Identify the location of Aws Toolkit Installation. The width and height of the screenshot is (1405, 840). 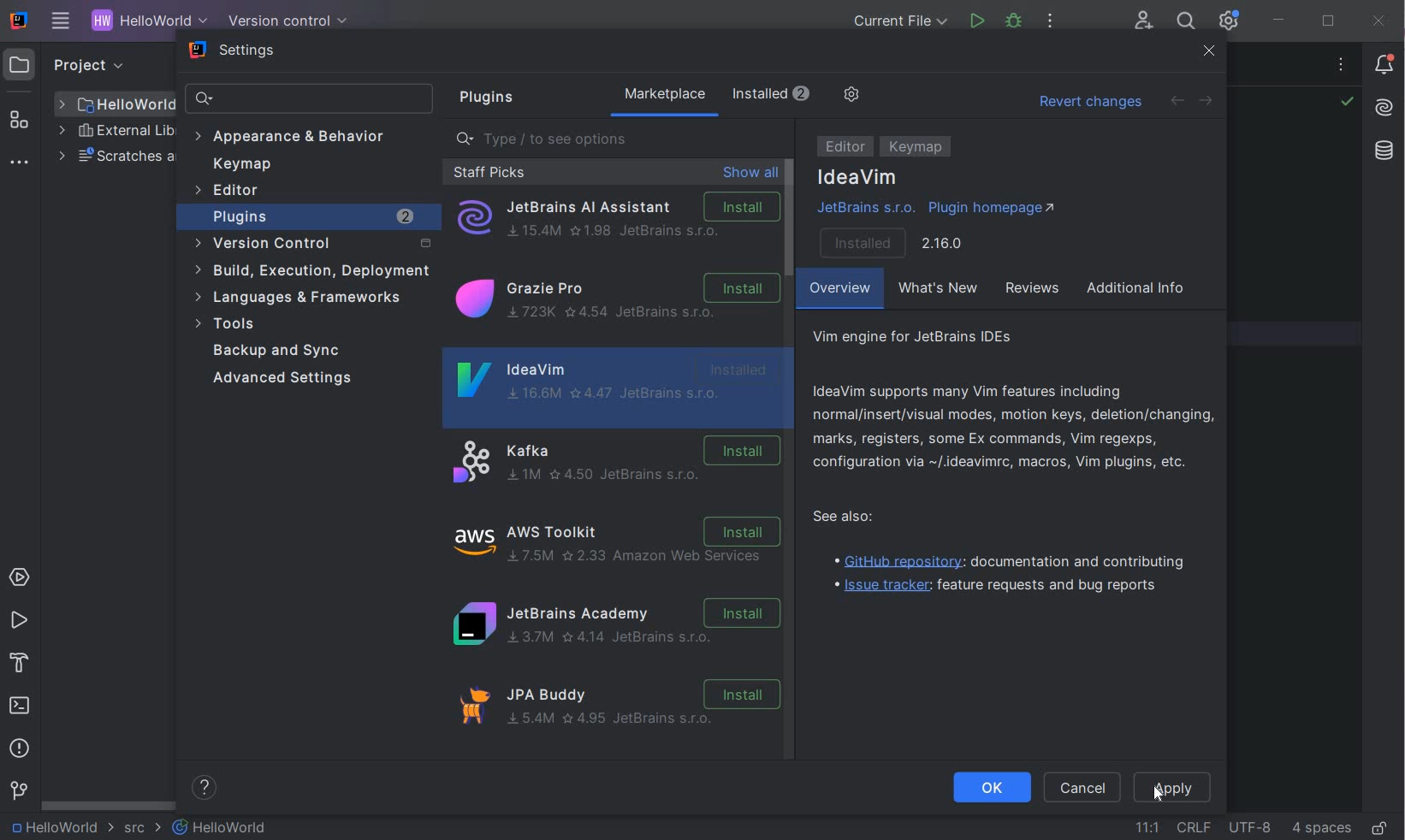
(620, 543).